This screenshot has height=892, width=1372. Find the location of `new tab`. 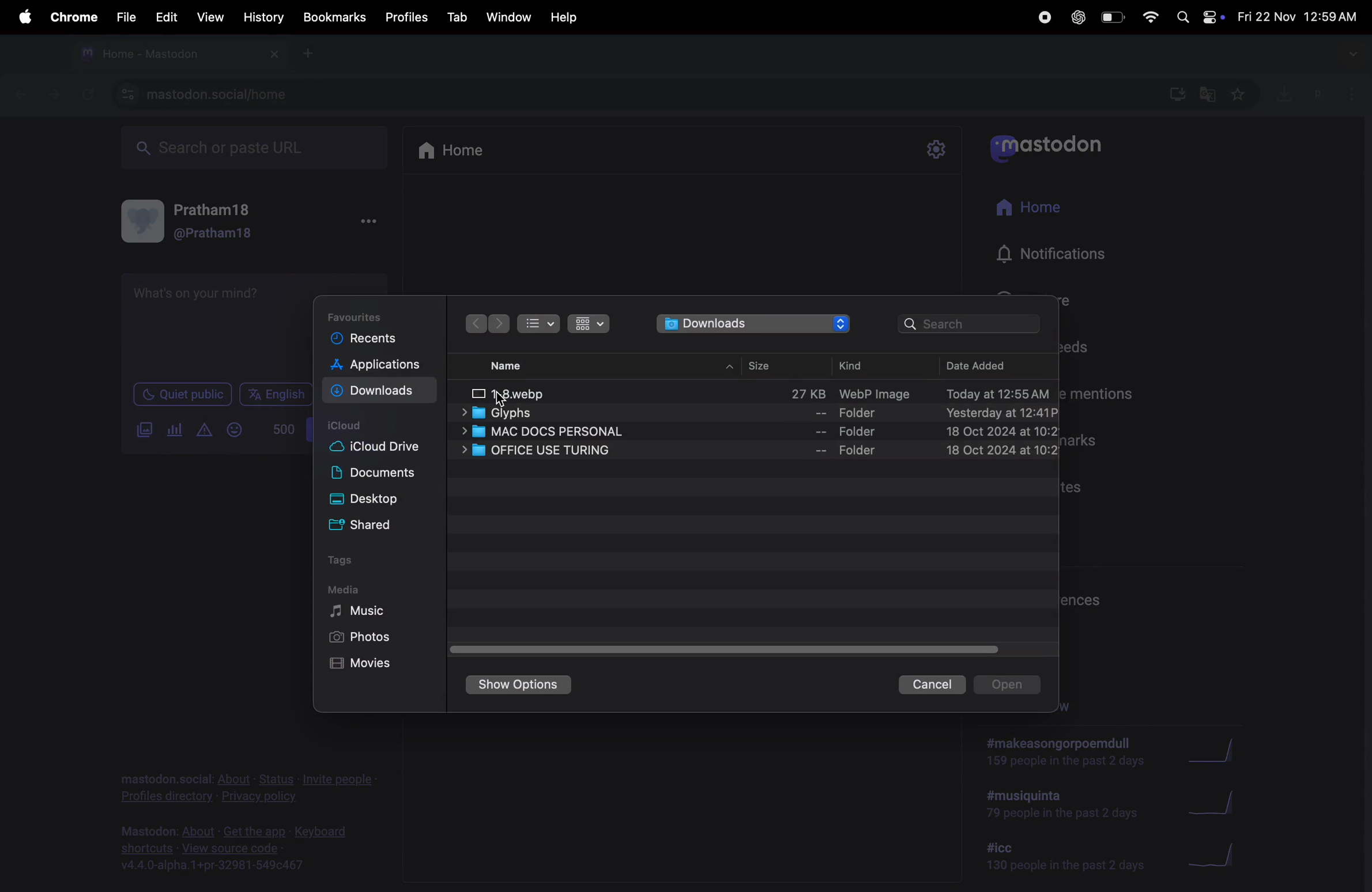

new tab is located at coordinates (307, 54).